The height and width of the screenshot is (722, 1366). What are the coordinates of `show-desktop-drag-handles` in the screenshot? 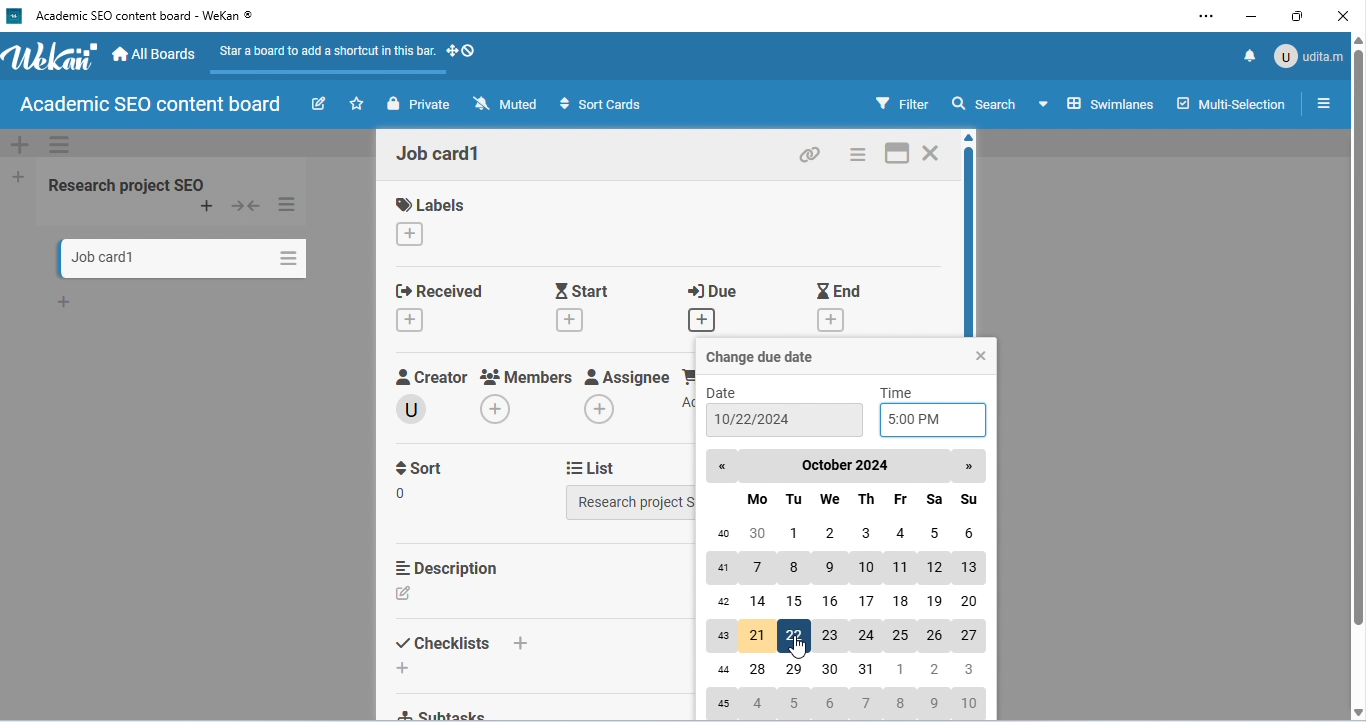 It's located at (462, 50).